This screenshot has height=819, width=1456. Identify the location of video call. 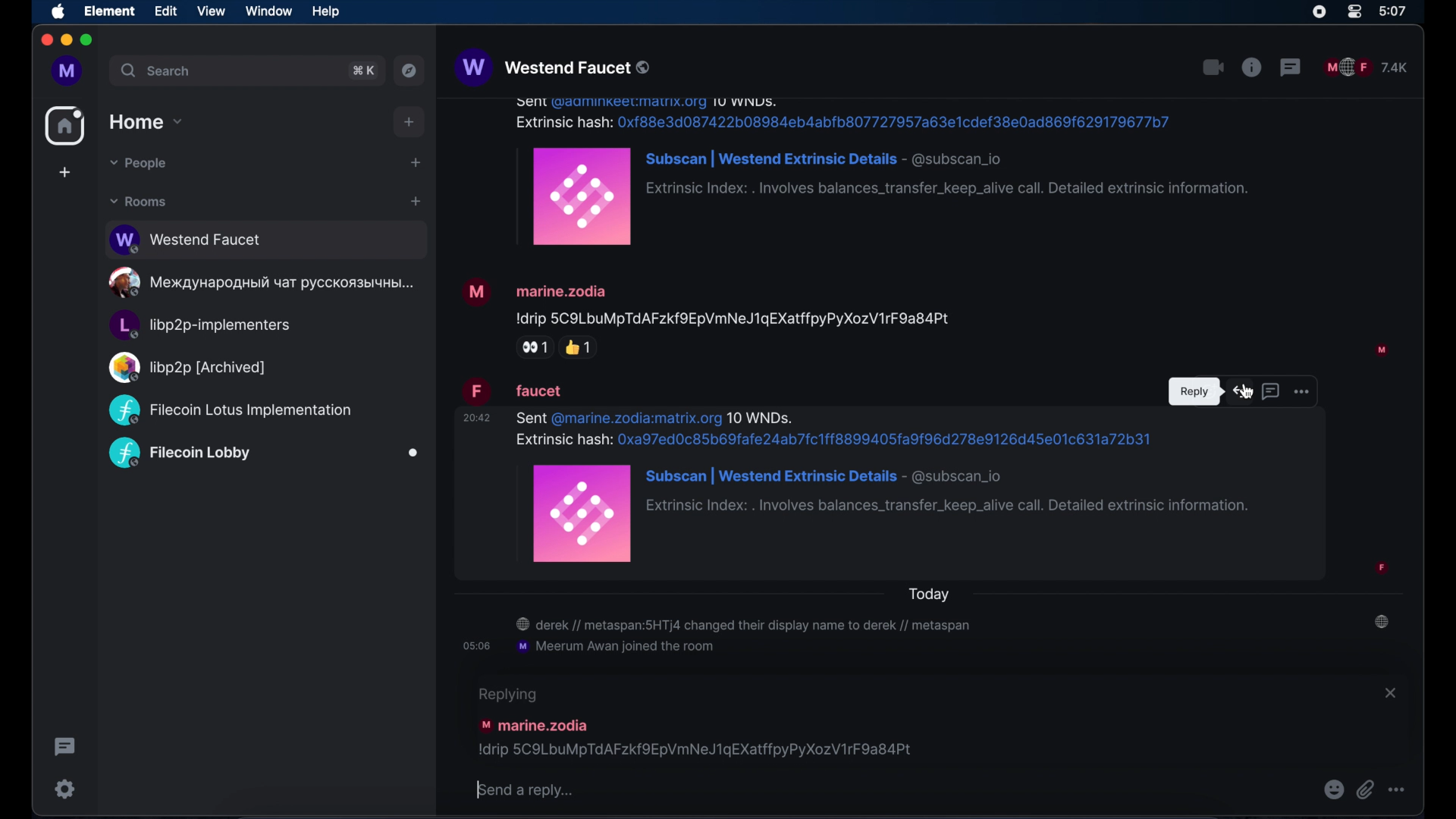
(1213, 67).